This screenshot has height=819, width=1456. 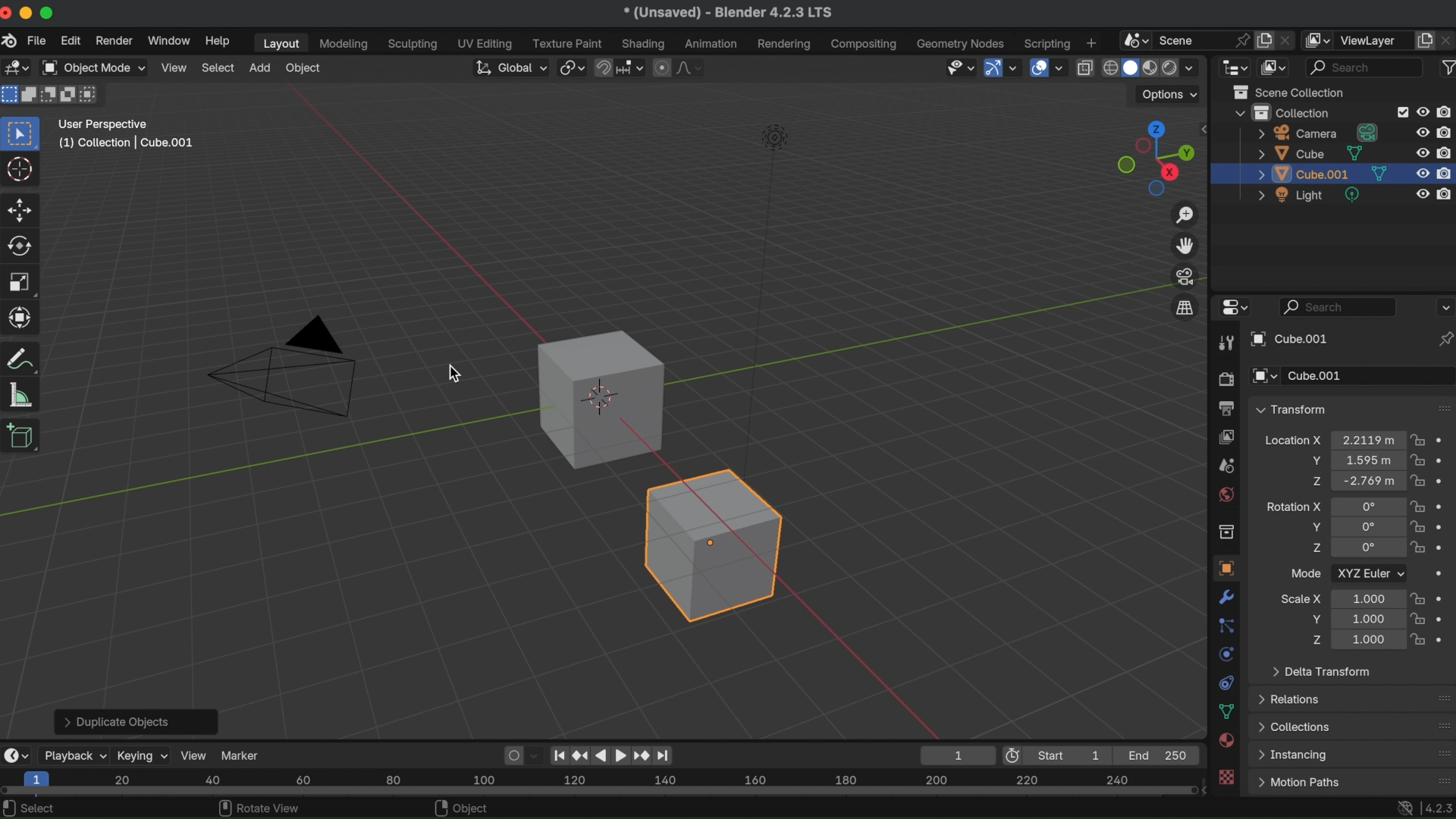 I want to click on transform, so click(x=24, y=359).